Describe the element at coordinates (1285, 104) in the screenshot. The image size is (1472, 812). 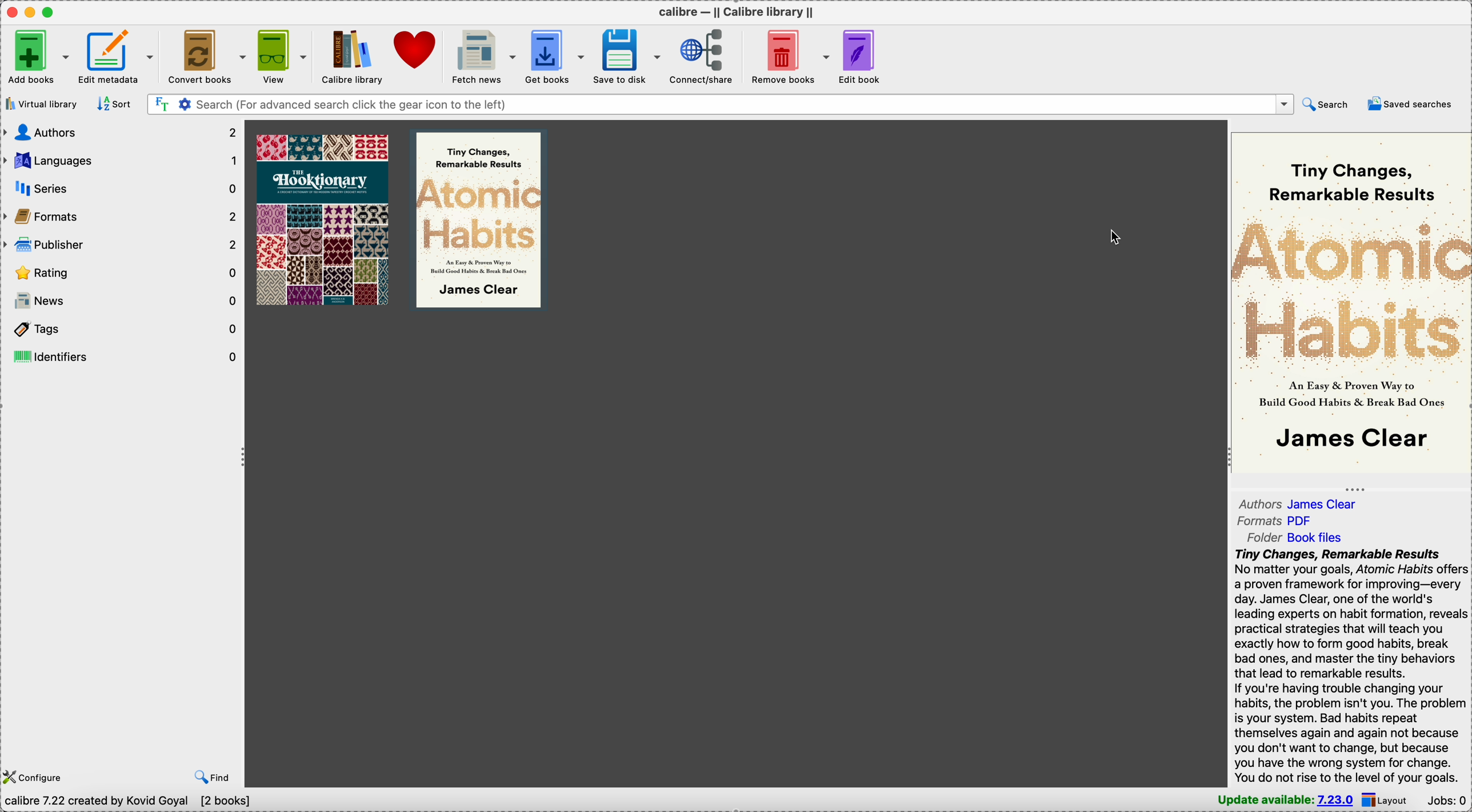
I see `drop down` at that location.